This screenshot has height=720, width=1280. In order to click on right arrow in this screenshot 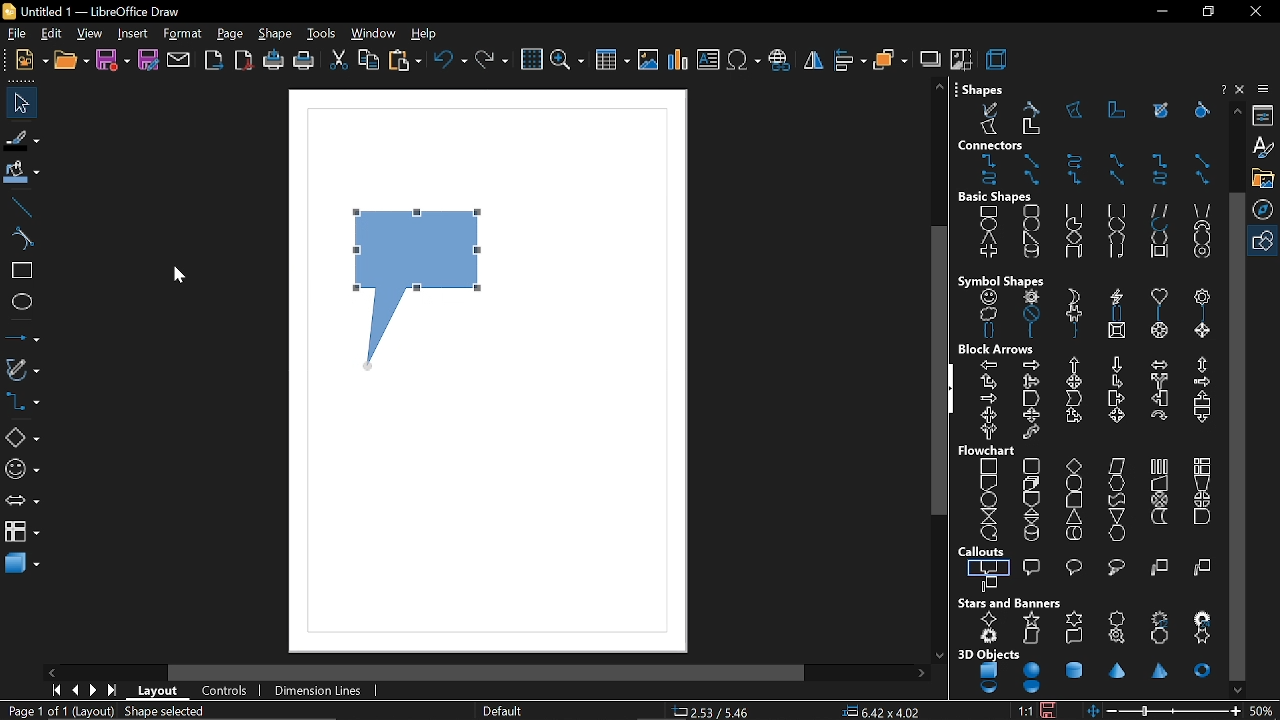, I will do `click(1030, 364)`.